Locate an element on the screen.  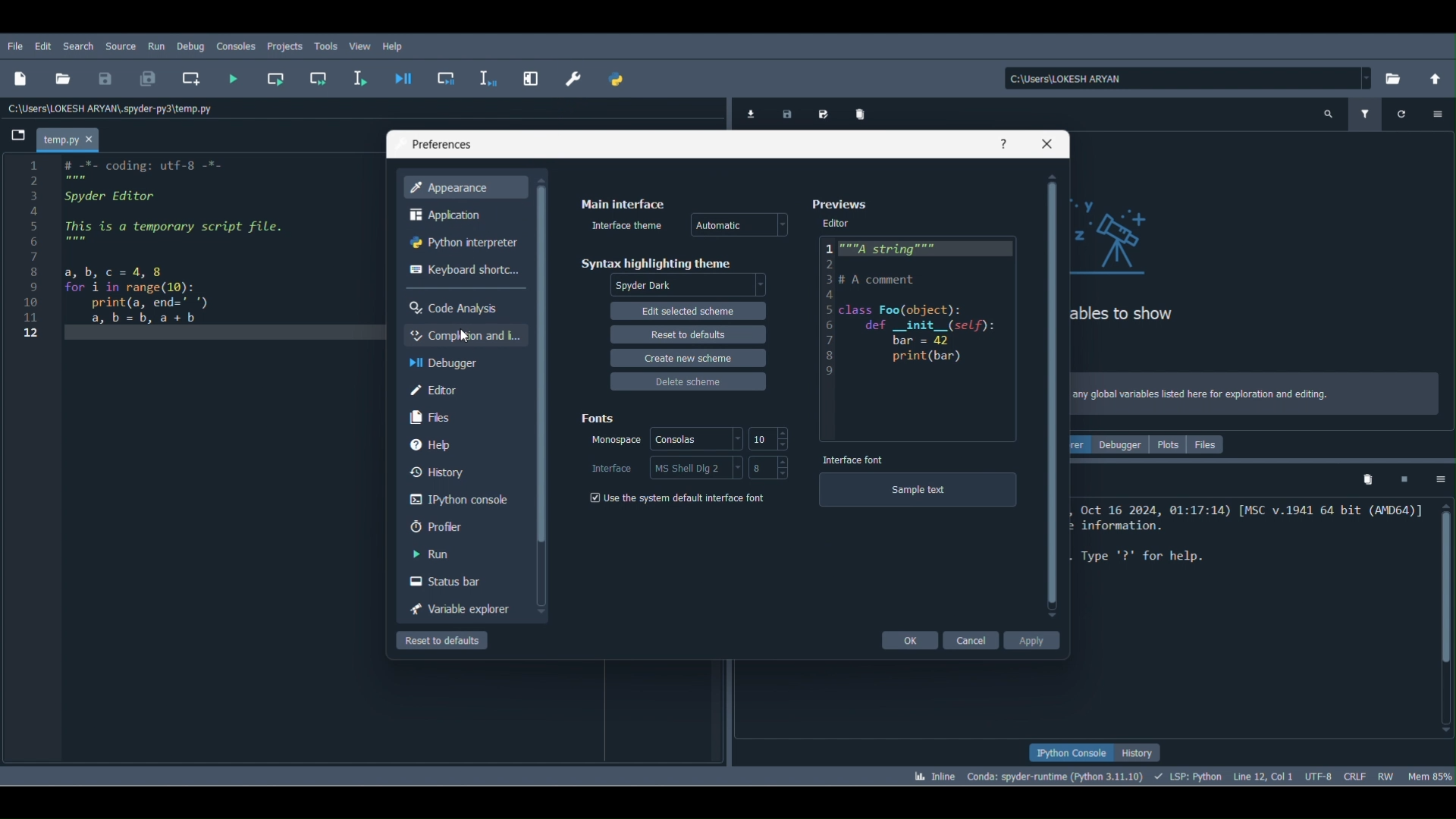
Help is located at coordinates (396, 48).